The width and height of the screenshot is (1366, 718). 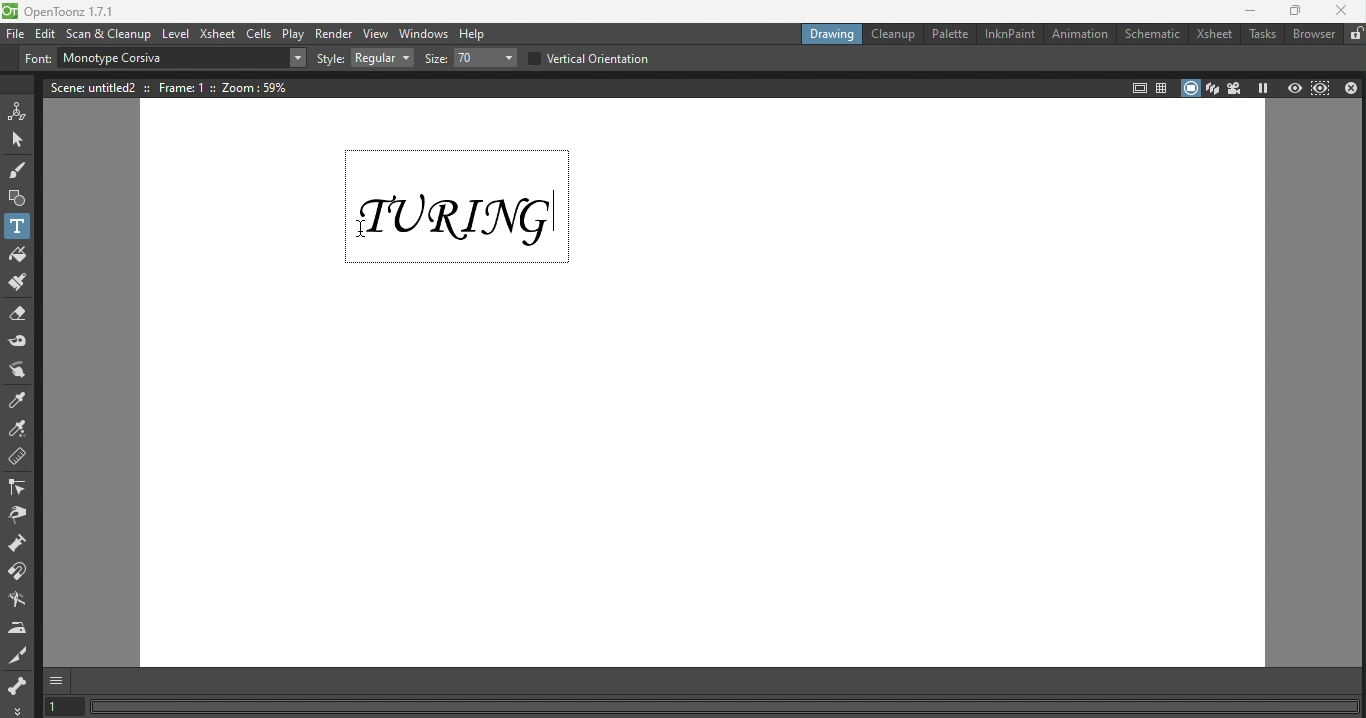 What do you see at coordinates (1234, 88) in the screenshot?
I see `Camera view` at bounding box center [1234, 88].